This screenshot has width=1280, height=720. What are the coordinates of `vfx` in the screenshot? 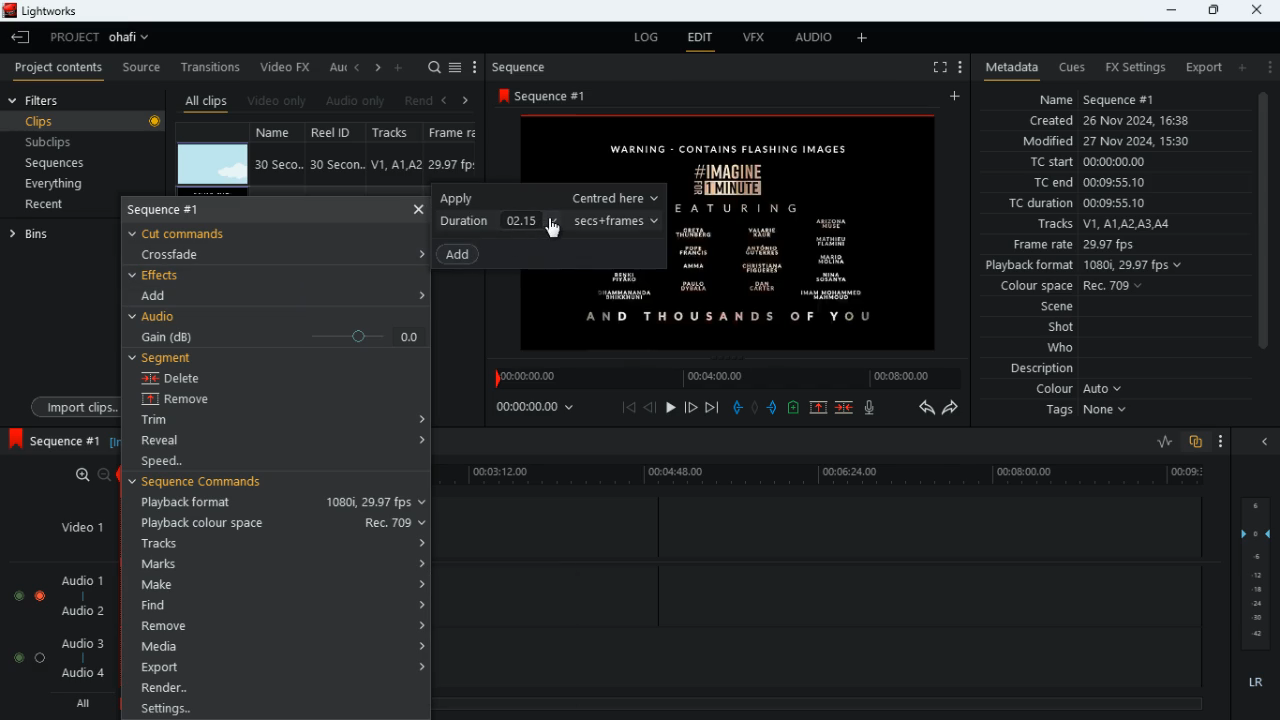 It's located at (752, 39).